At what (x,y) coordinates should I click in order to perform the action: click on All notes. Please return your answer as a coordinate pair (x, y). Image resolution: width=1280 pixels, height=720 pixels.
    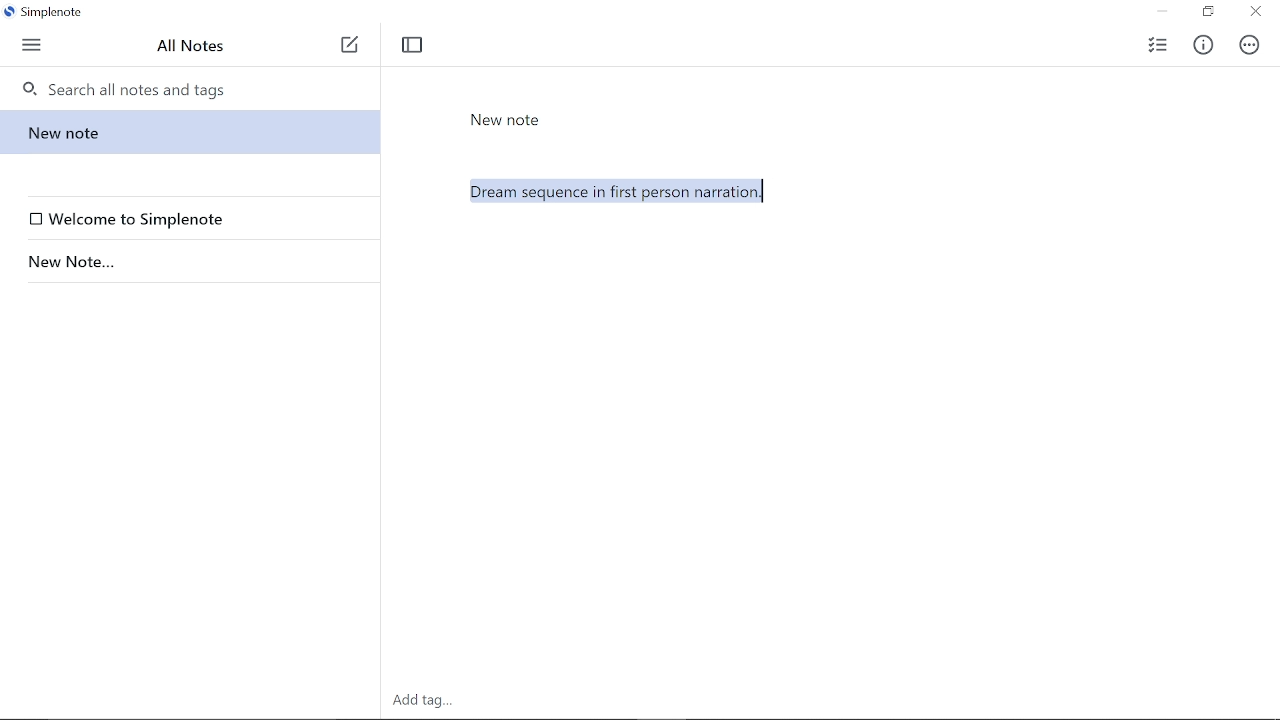
    Looking at the image, I should click on (192, 45).